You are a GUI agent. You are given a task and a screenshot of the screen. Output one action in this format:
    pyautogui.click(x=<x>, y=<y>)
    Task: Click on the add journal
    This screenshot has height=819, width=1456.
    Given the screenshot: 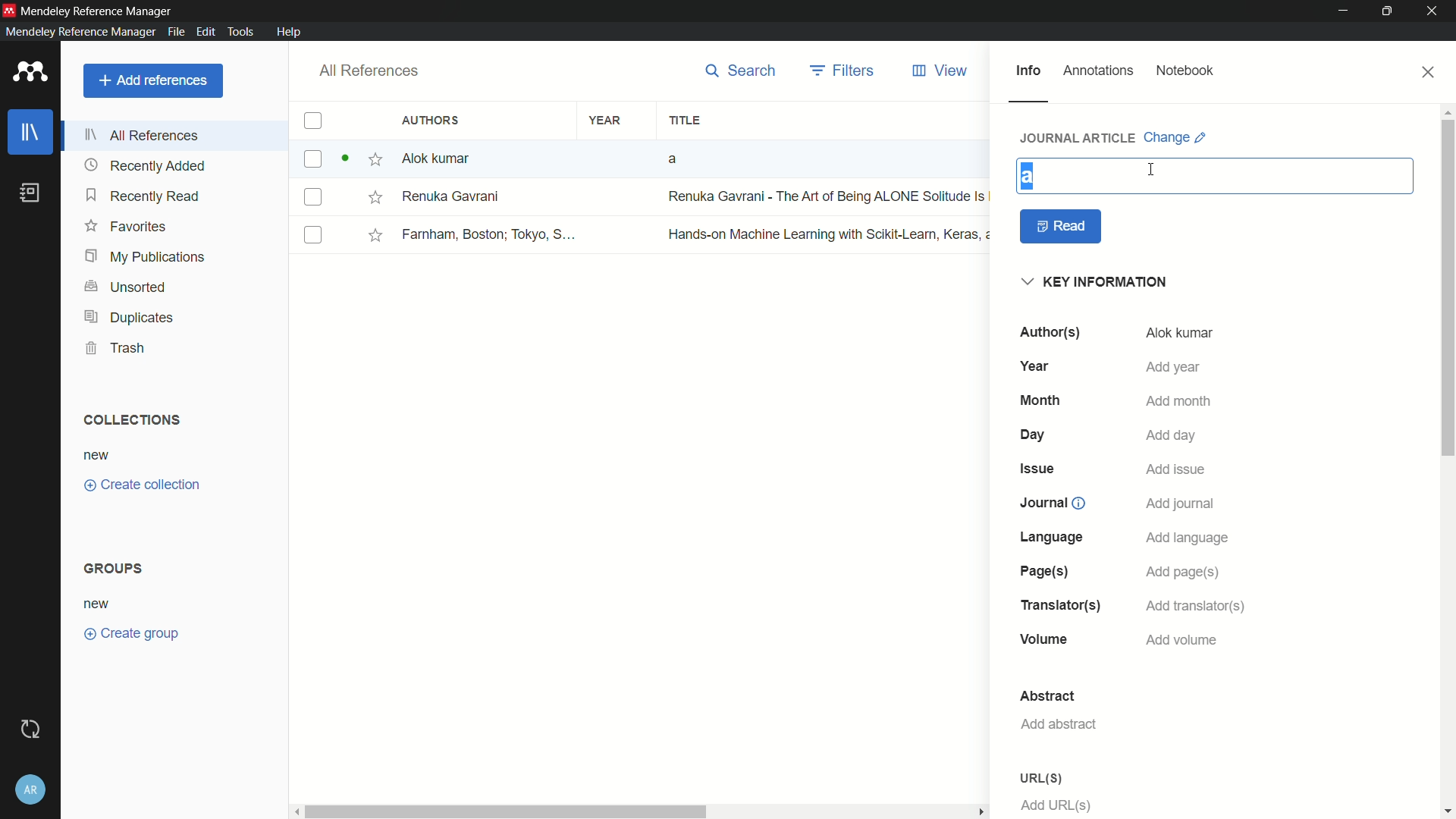 What is the action you would take?
    pyautogui.click(x=1181, y=504)
    